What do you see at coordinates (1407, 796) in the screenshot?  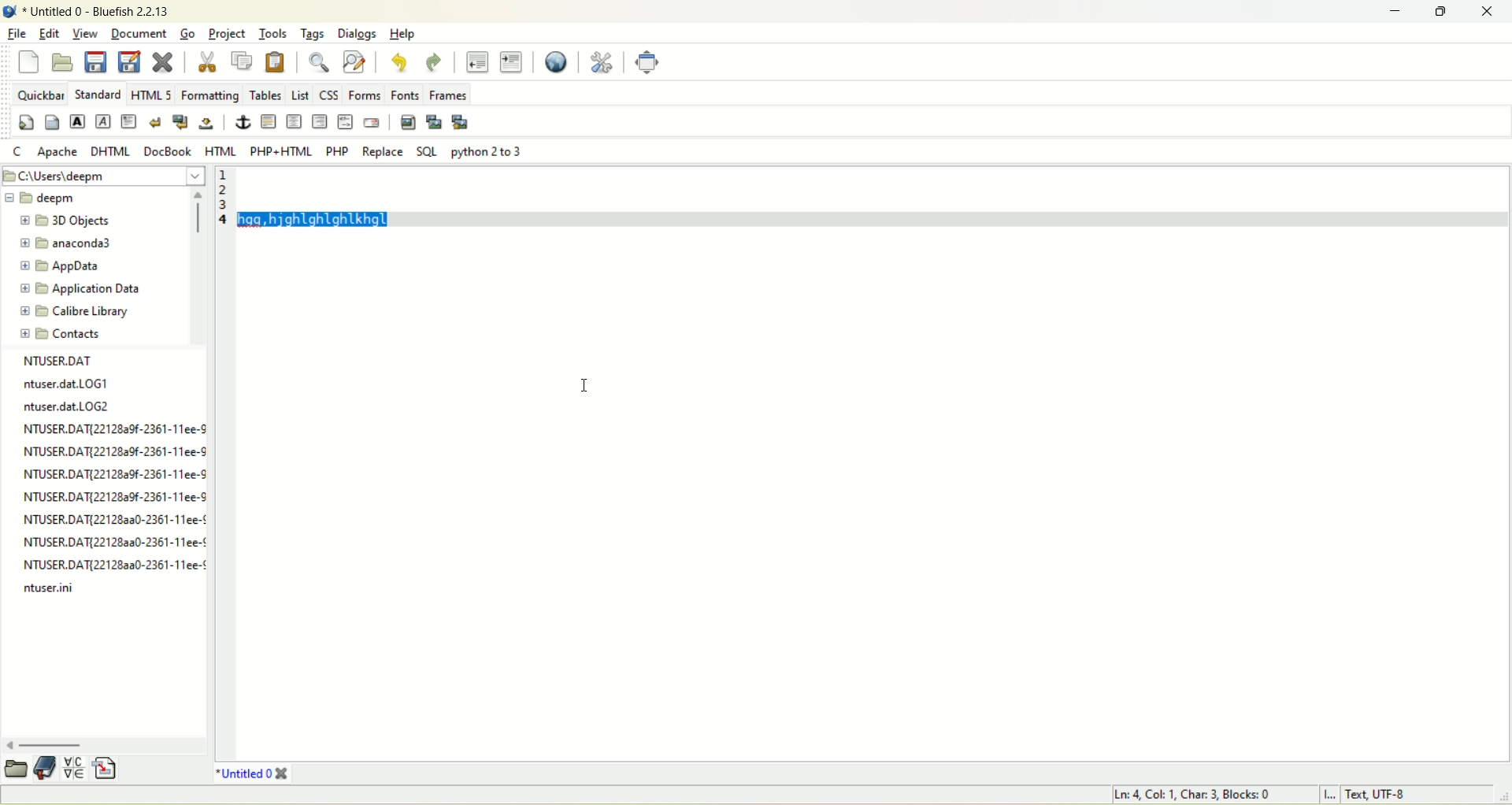 I see `character encoding` at bounding box center [1407, 796].